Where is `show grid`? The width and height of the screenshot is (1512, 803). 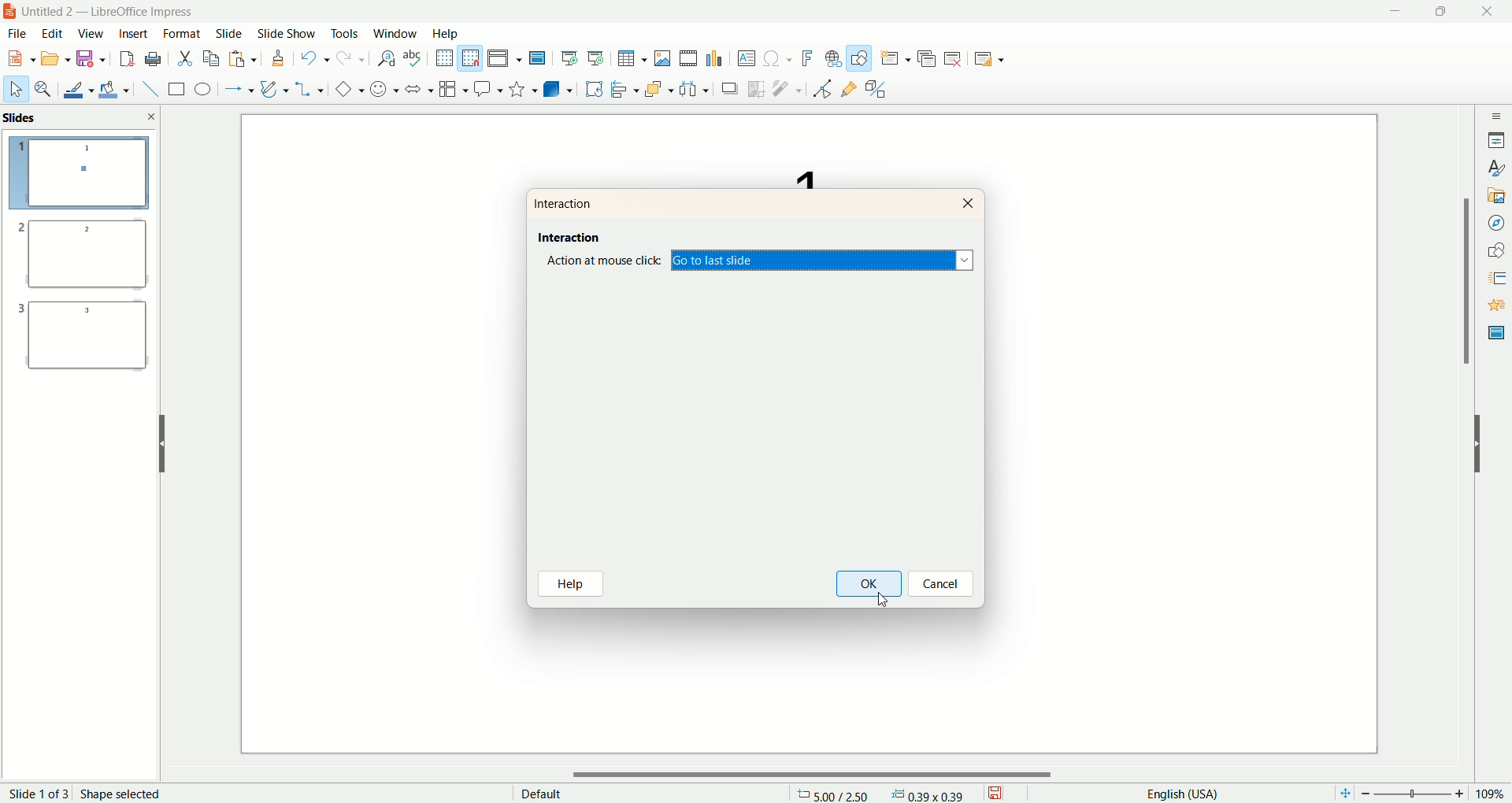 show grid is located at coordinates (443, 57).